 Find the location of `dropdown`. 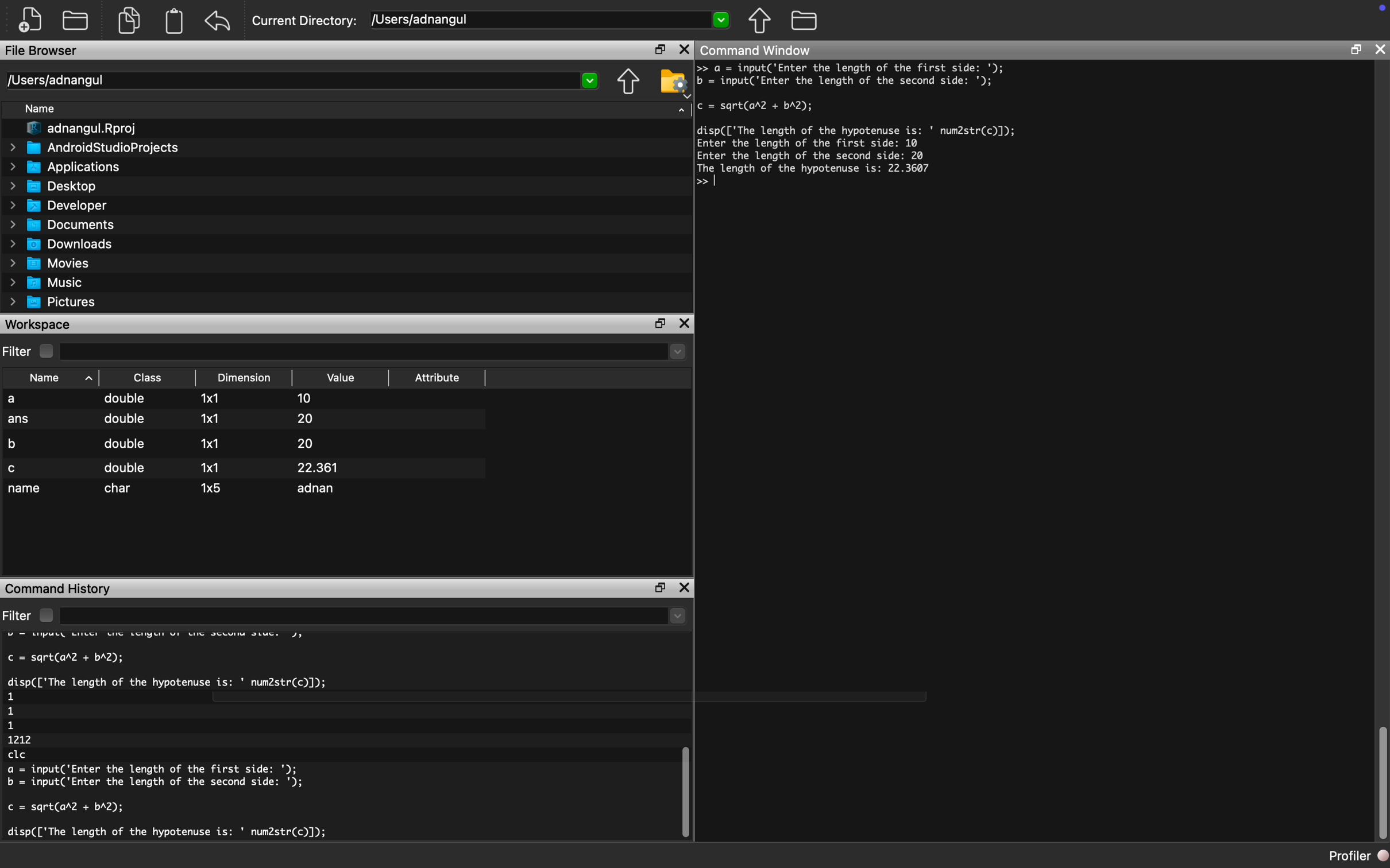

dropdown is located at coordinates (375, 617).